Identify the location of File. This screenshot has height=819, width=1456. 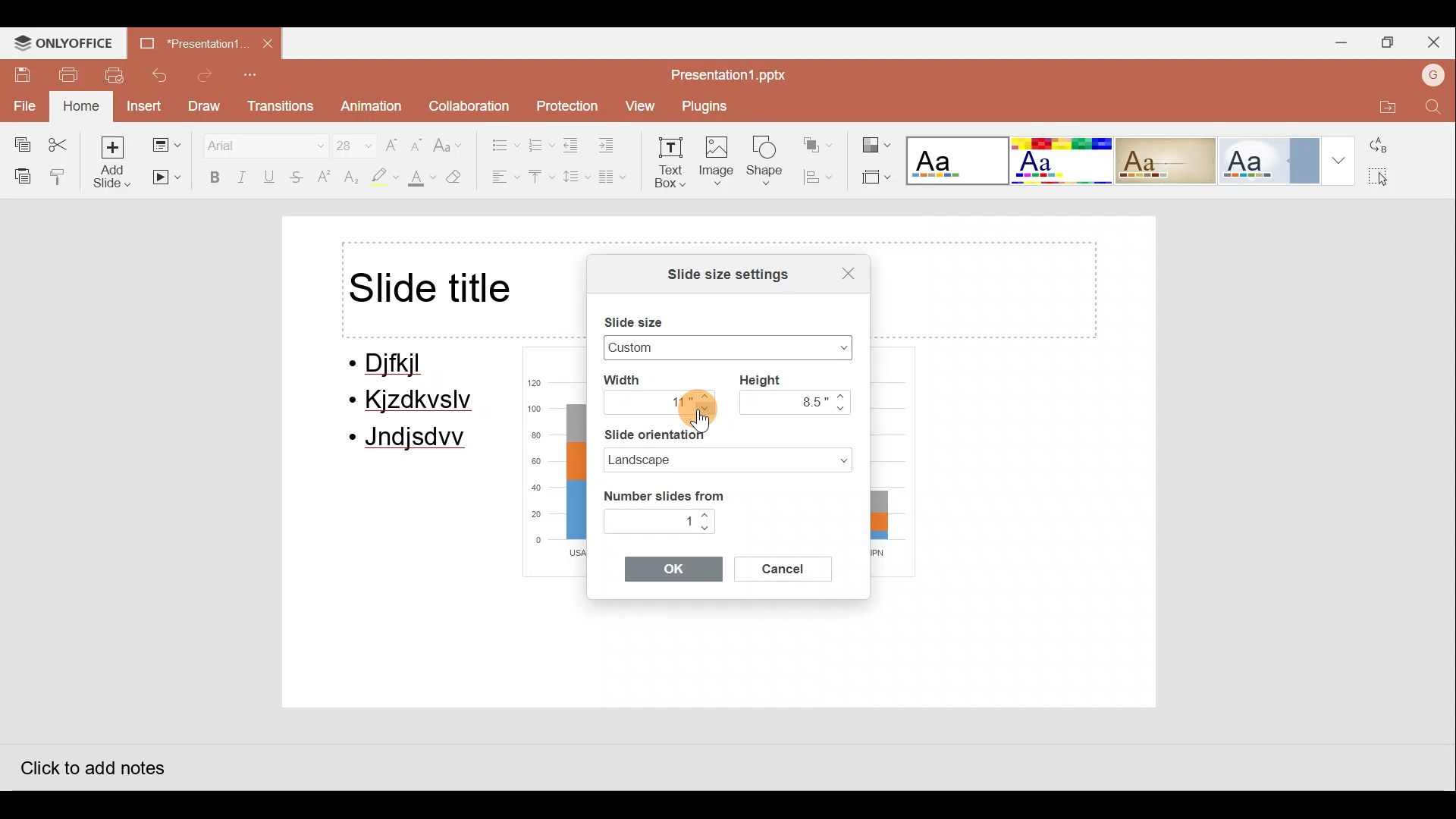
(23, 104).